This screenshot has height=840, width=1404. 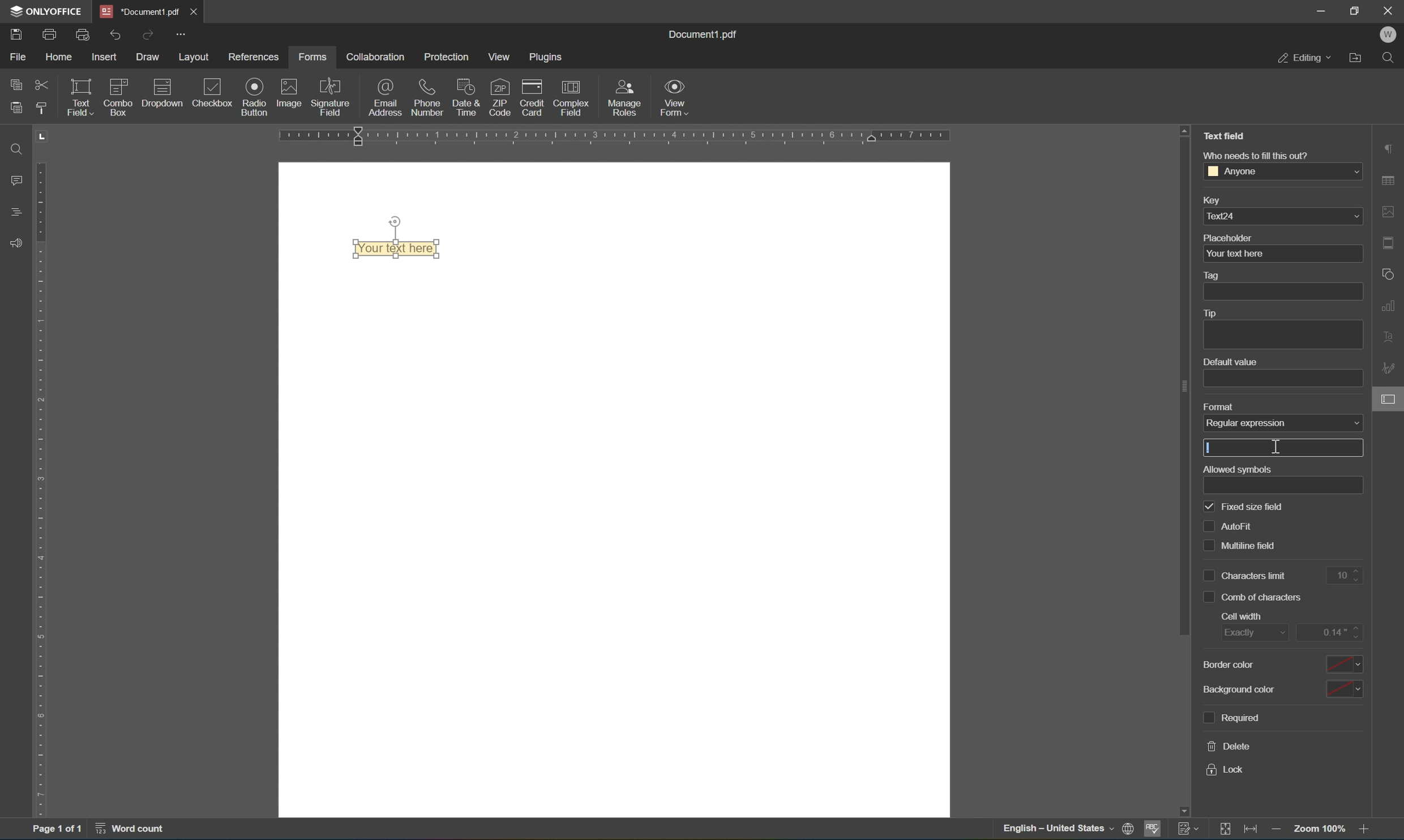 I want to click on welcome, so click(x=1388, y=35).